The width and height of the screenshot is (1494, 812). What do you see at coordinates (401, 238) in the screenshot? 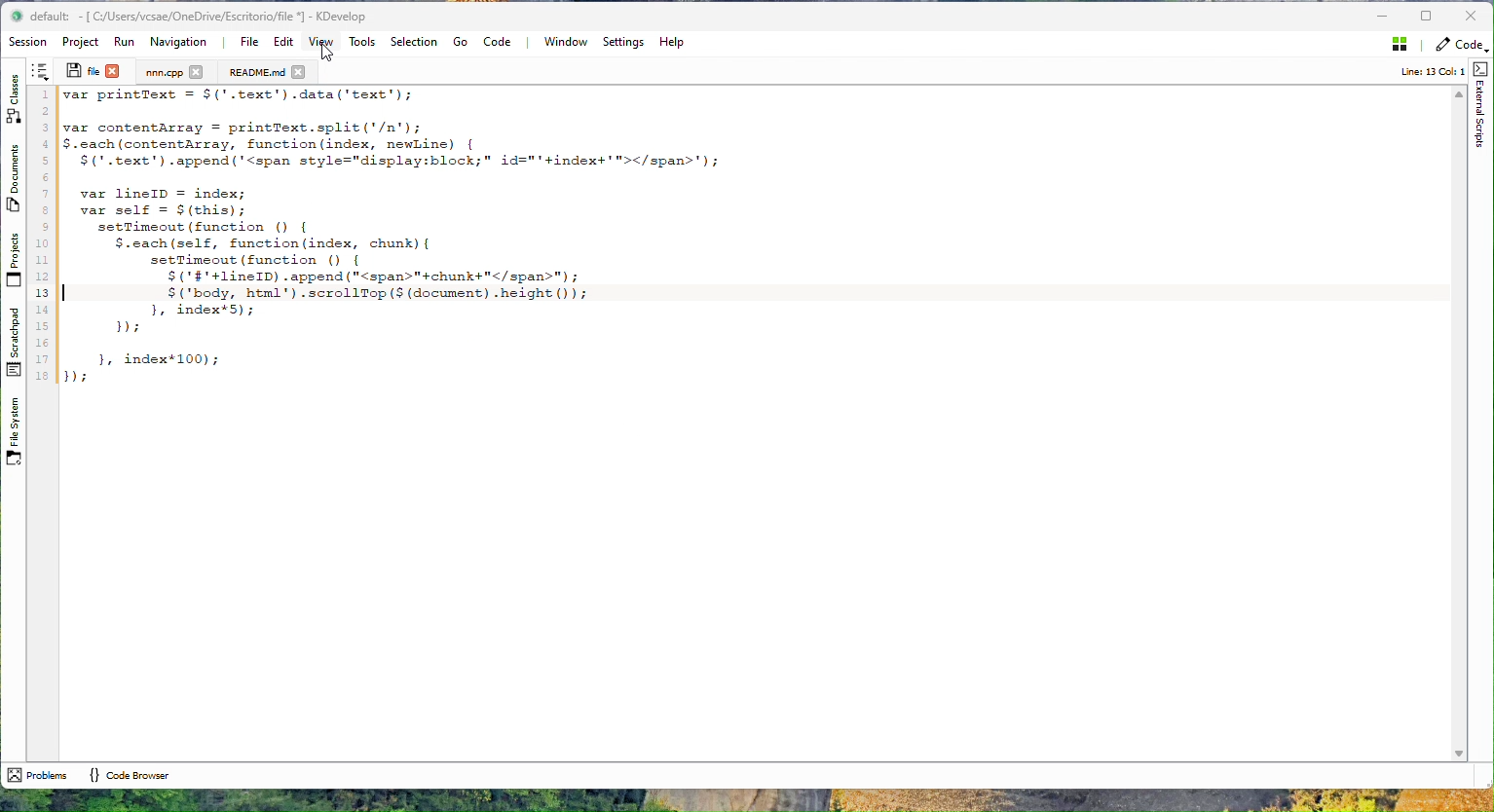
I see `code` at bounding box center [401, 238].